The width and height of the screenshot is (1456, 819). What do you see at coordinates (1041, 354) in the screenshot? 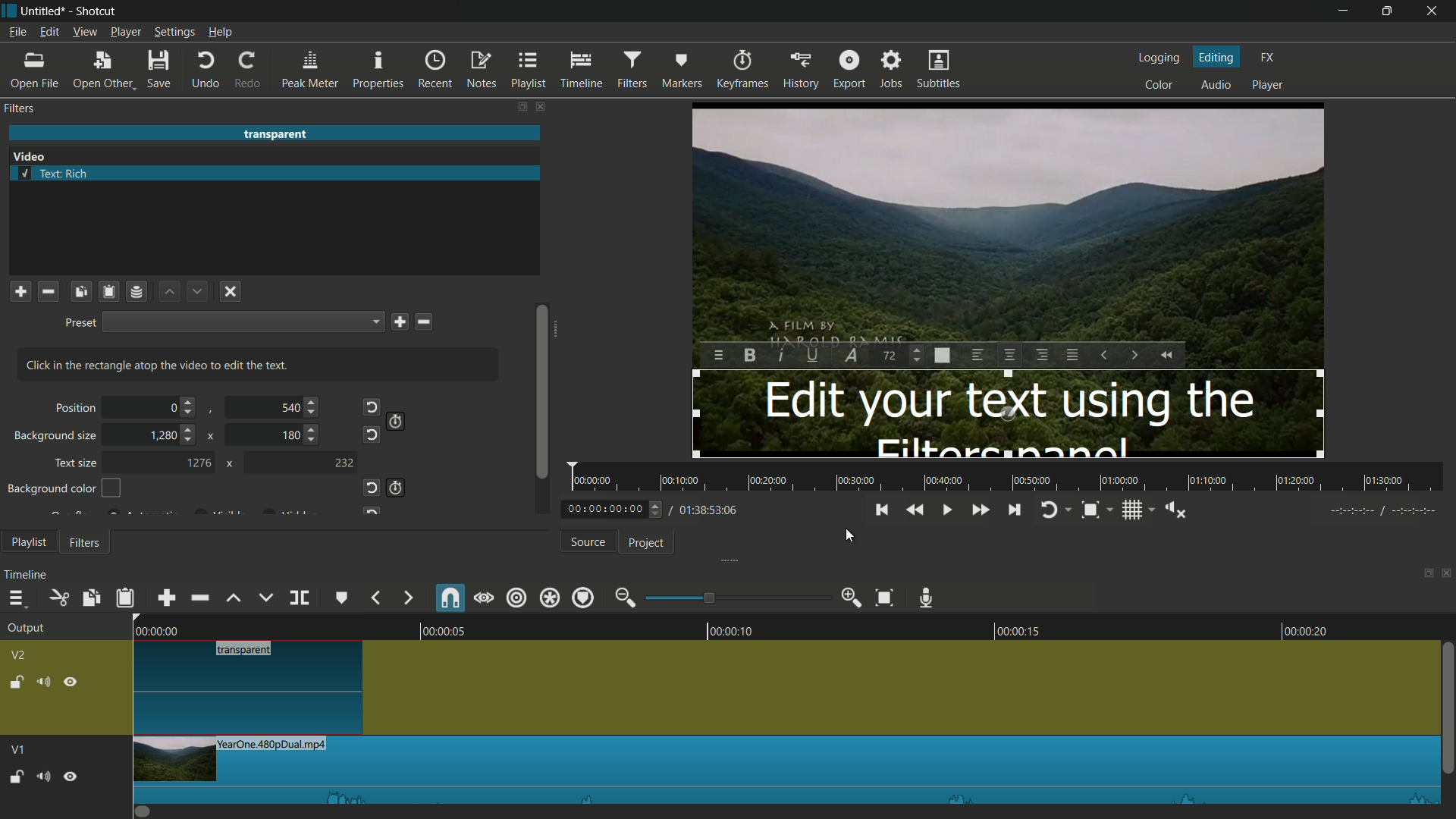
I see `align right` at bounding box center [1041, 354].